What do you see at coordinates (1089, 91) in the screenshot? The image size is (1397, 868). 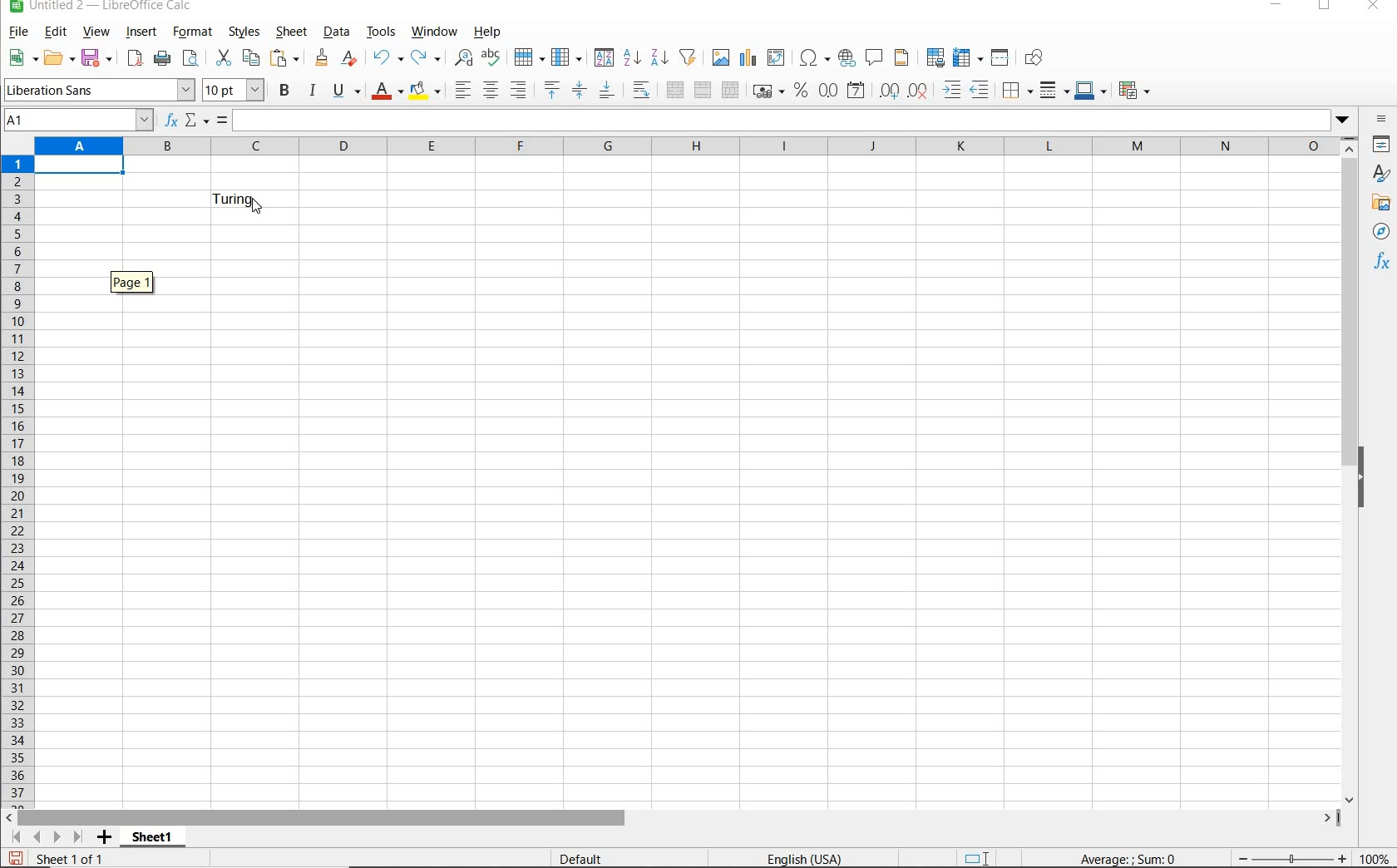 I see `BORDER COLOR` at bounding box center [1089, 91].